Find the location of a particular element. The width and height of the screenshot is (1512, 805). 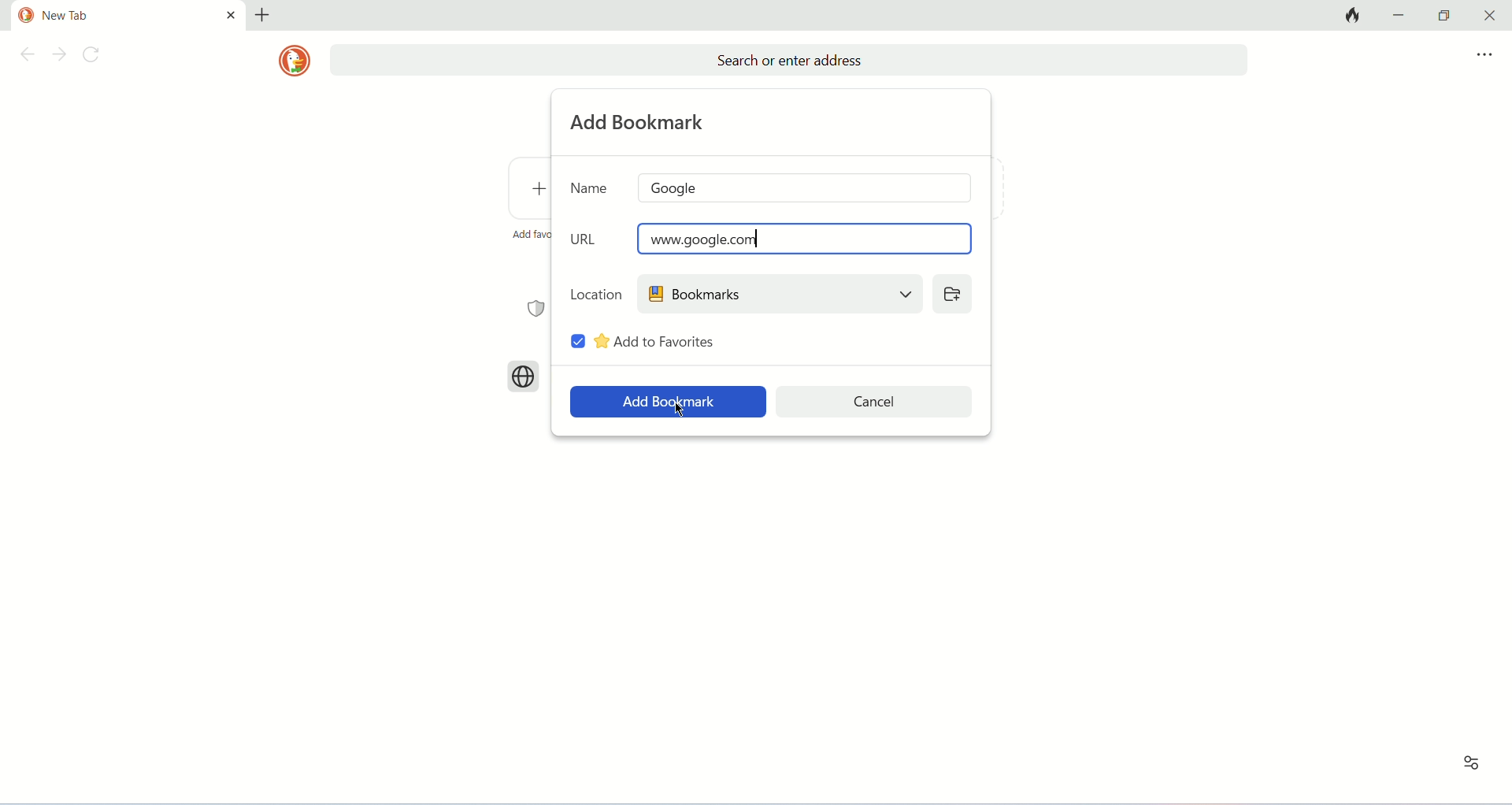

bookmarks is located at coordinates (779, 293).